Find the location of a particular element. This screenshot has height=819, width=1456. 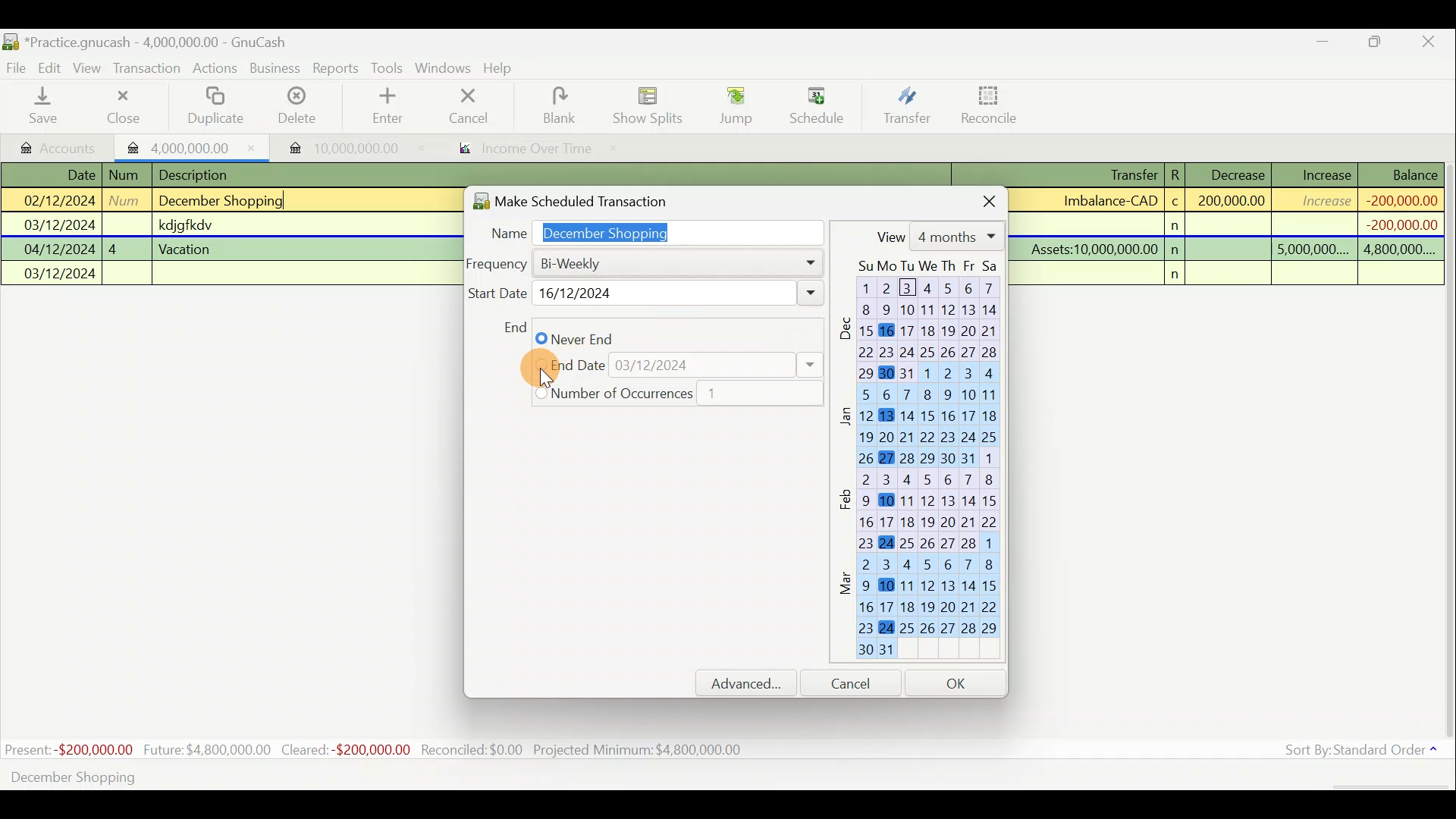

View is located at coordinates (89, 68).